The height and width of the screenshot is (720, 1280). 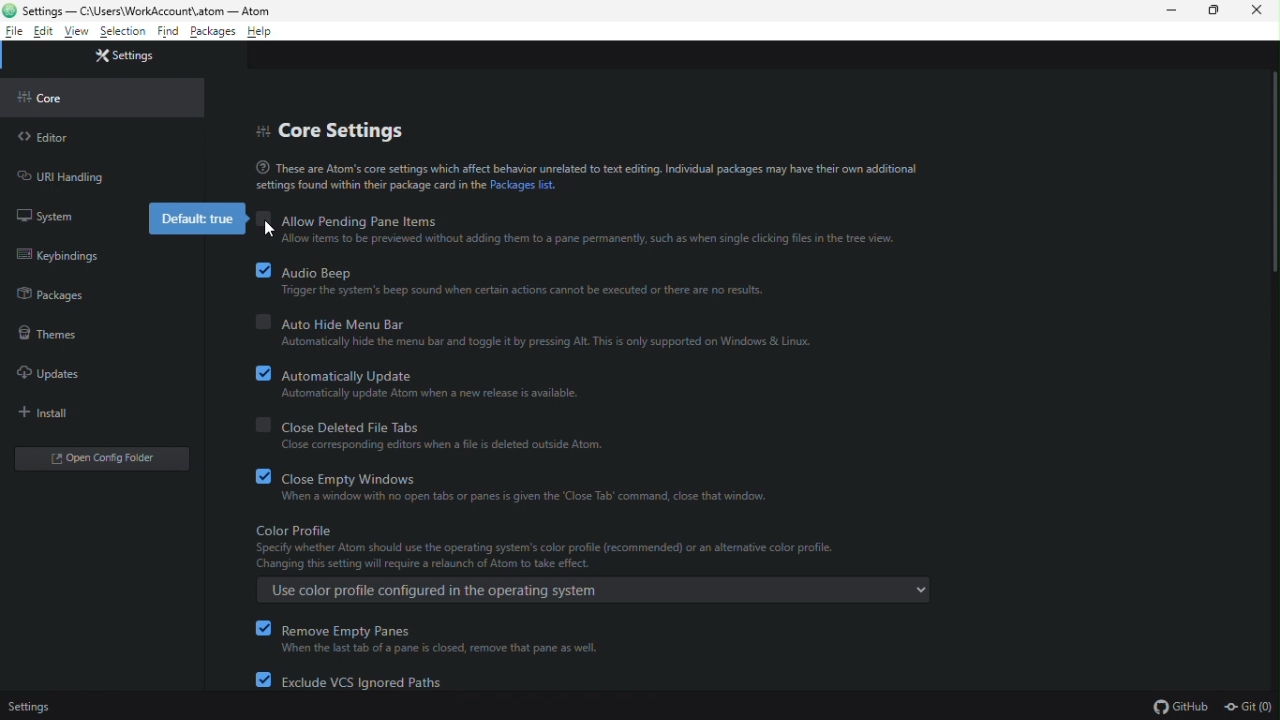 What do you see at coordinates (596, 549) in the screenshot?
I see `color profile. Specify whether Atom should use the operating system's color profile (recommended) or an alternative profile.  Changing this setting will require a relaunch of Atom to take effect.` at bounding box center [596, 549].